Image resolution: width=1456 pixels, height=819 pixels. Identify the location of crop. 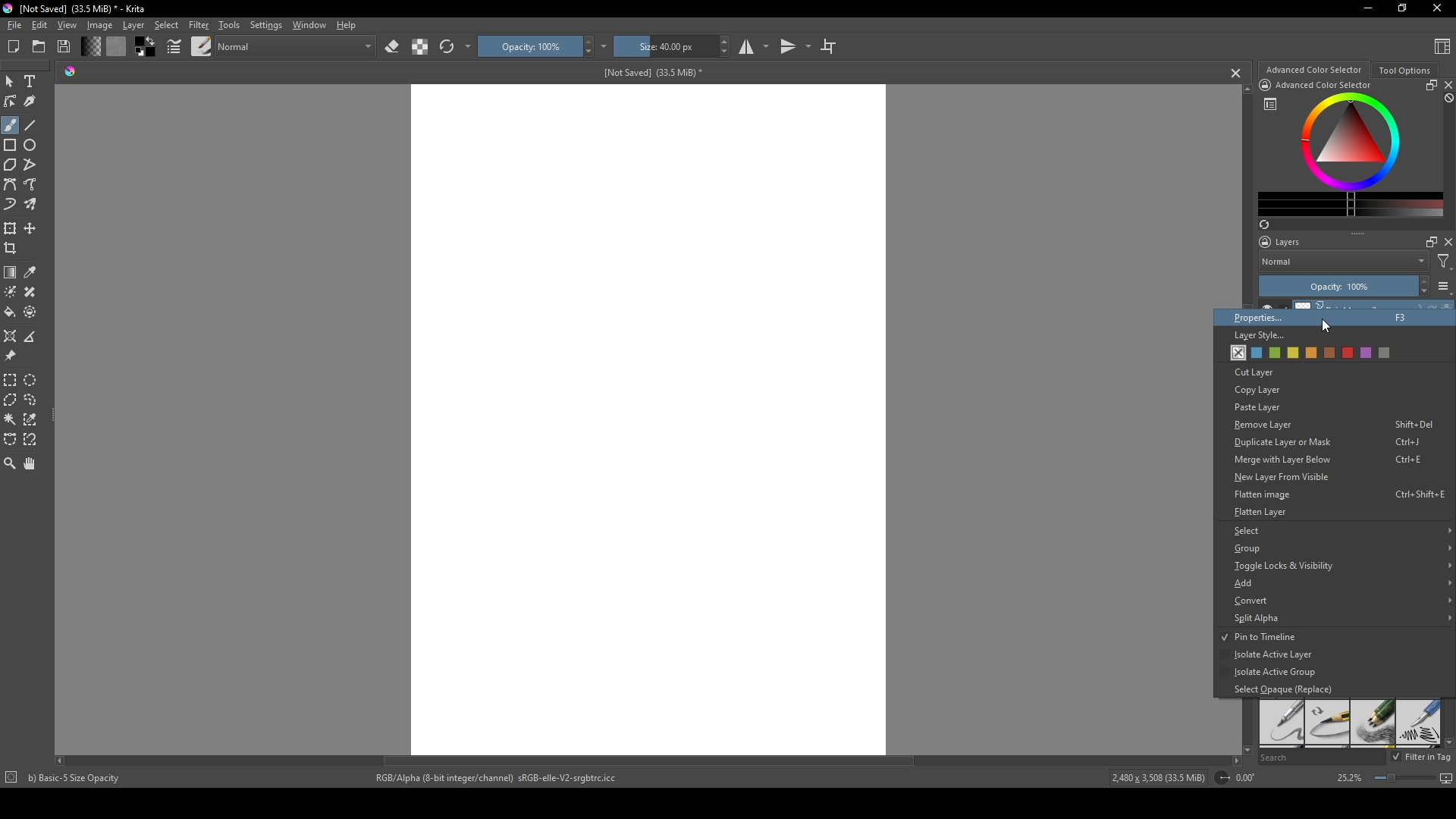
(14, 248).